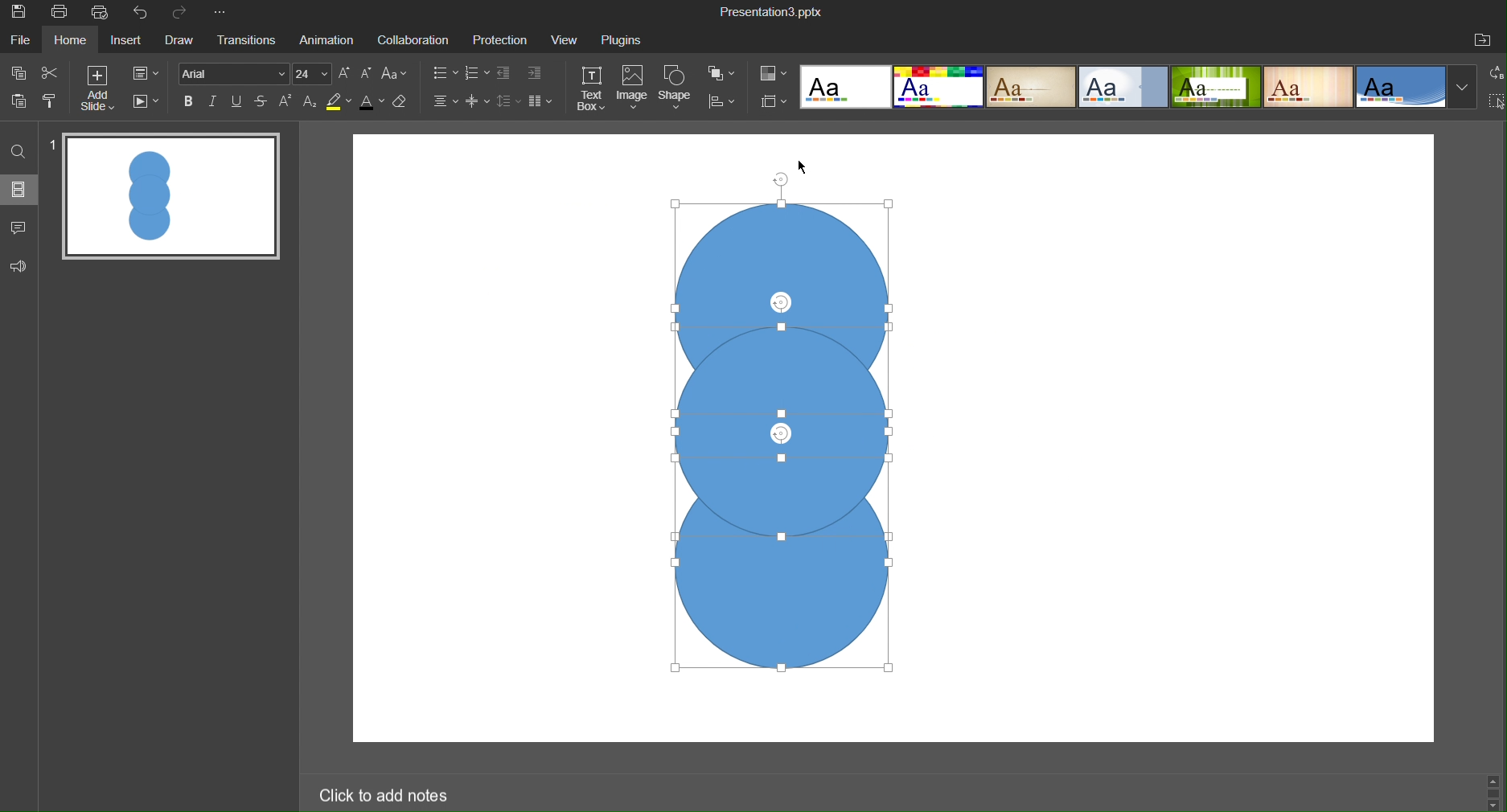 This screenshot has height=812, width=1507. Describe the element at coordinates (183, 42) in the screenshot. I see `Draw` at that location.